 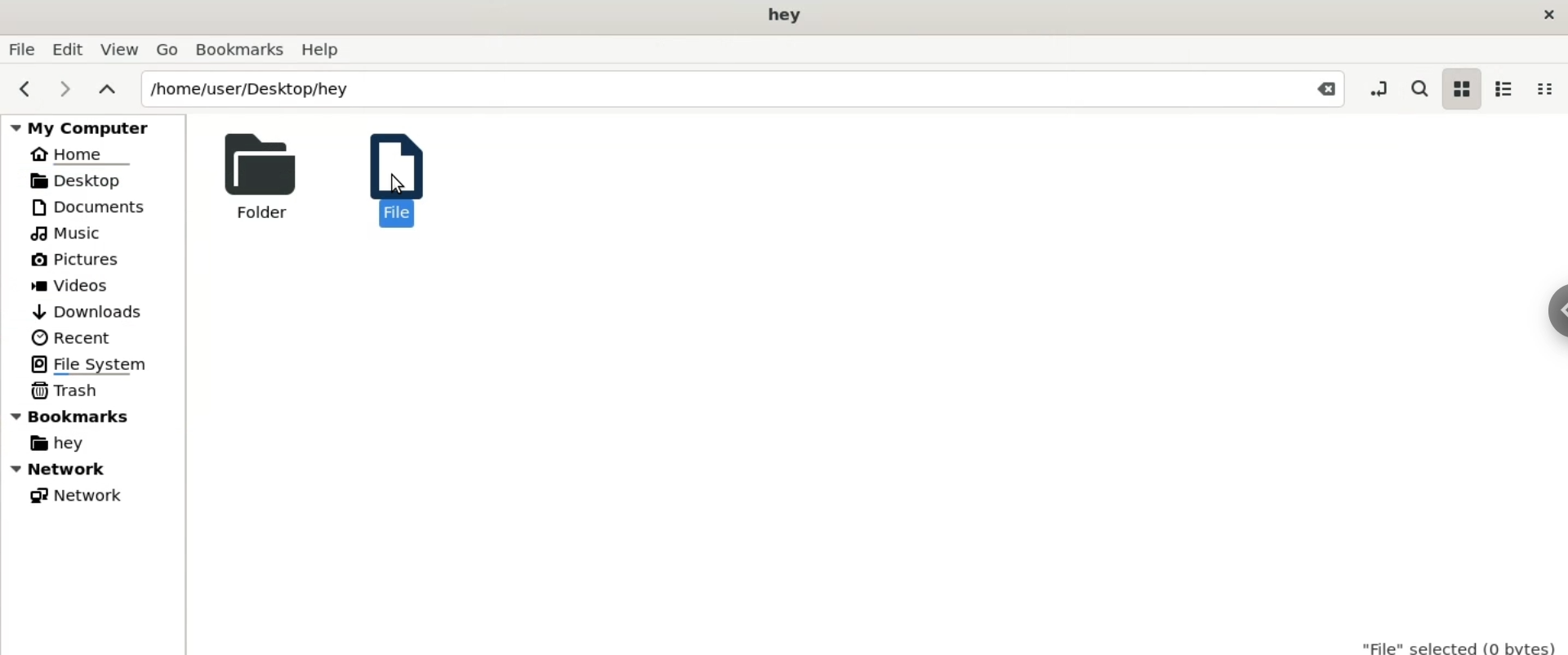 What do you see at coordinates (94, 420) in the screenshot?
I see `bookmarks` at bounding box center [94, 420].